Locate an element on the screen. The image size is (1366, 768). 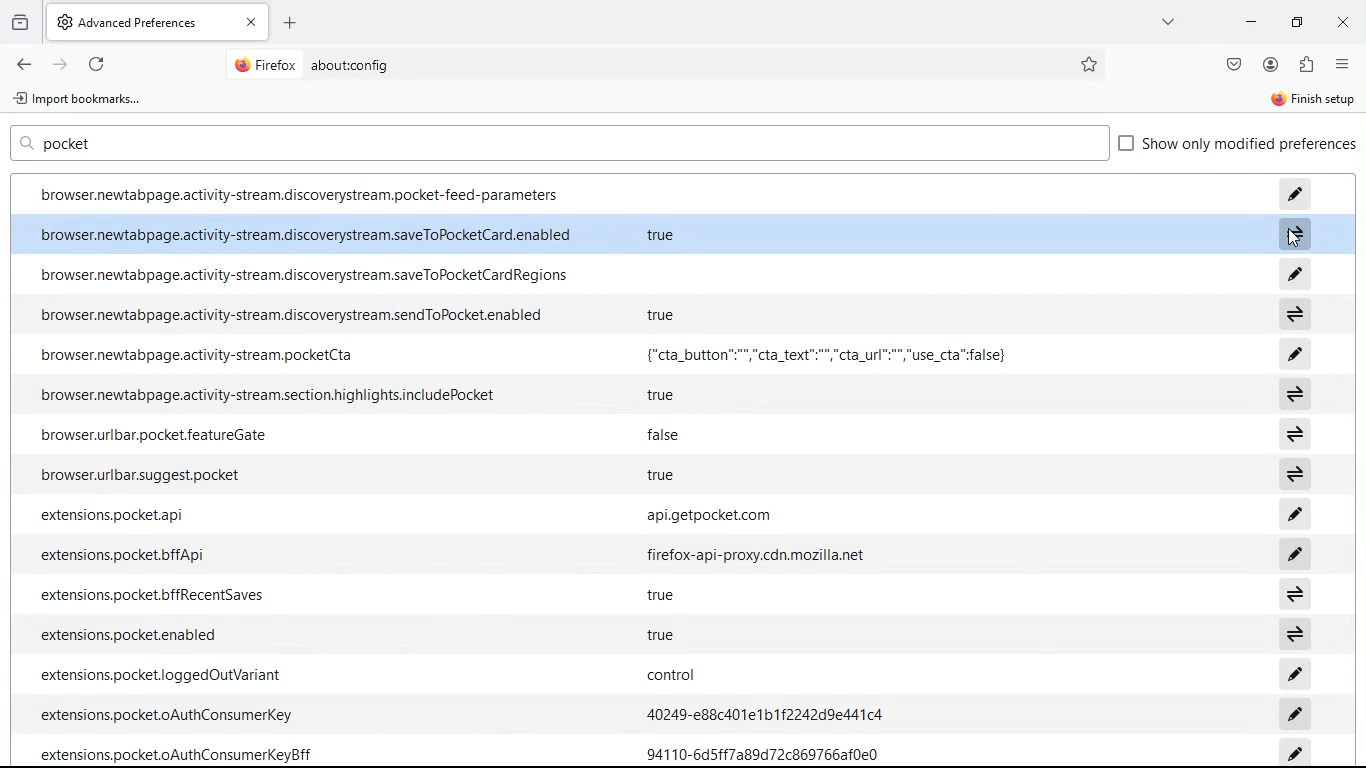
options is located at coordinates (1343, 67).